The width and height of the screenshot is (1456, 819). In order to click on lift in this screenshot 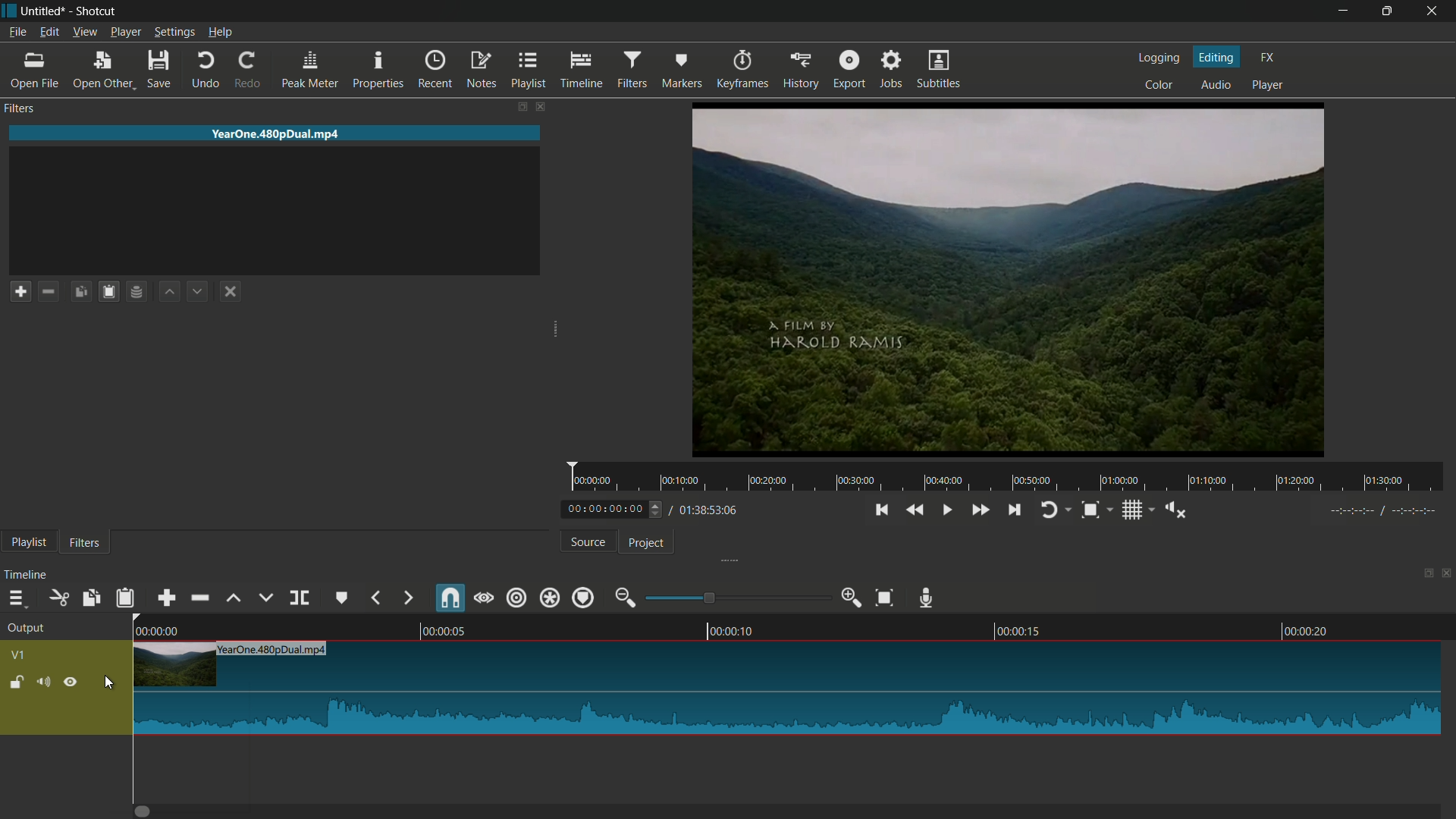, I will do `click(234, 597)`.